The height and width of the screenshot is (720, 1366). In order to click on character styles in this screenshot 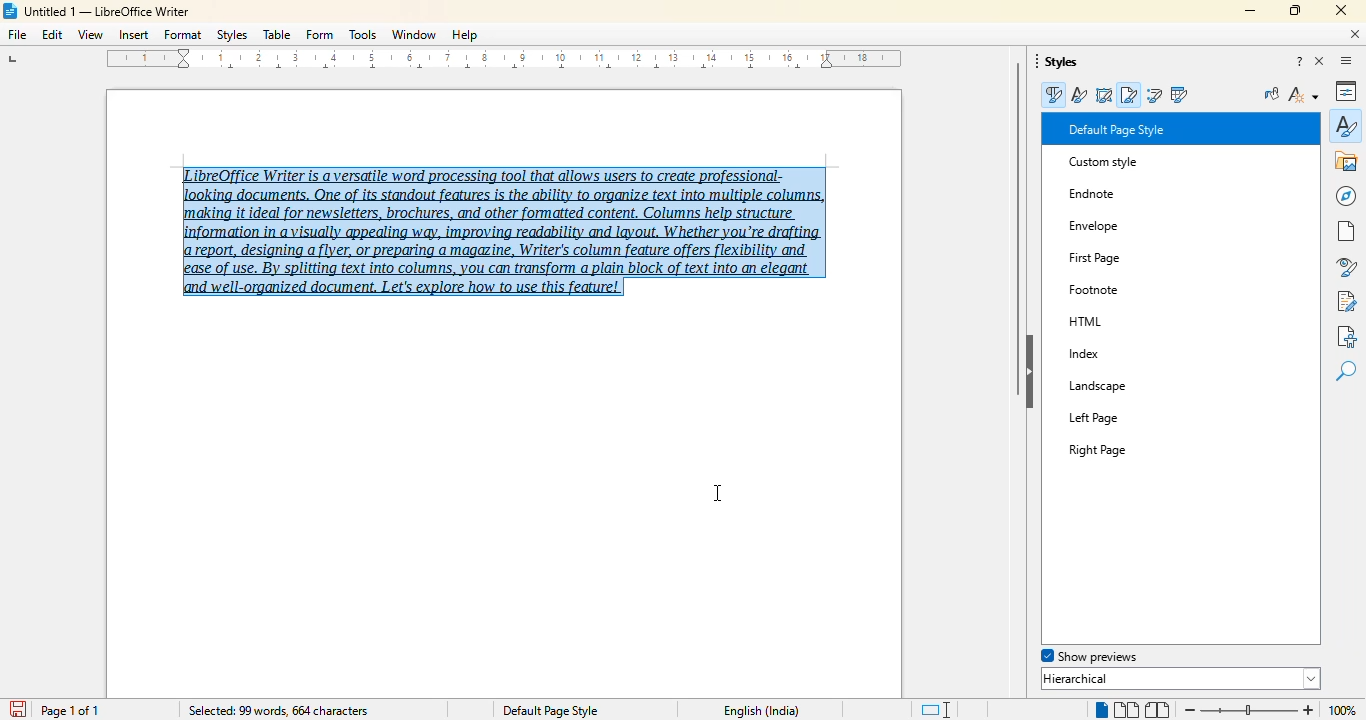, I will do `click(1080, 95)`.